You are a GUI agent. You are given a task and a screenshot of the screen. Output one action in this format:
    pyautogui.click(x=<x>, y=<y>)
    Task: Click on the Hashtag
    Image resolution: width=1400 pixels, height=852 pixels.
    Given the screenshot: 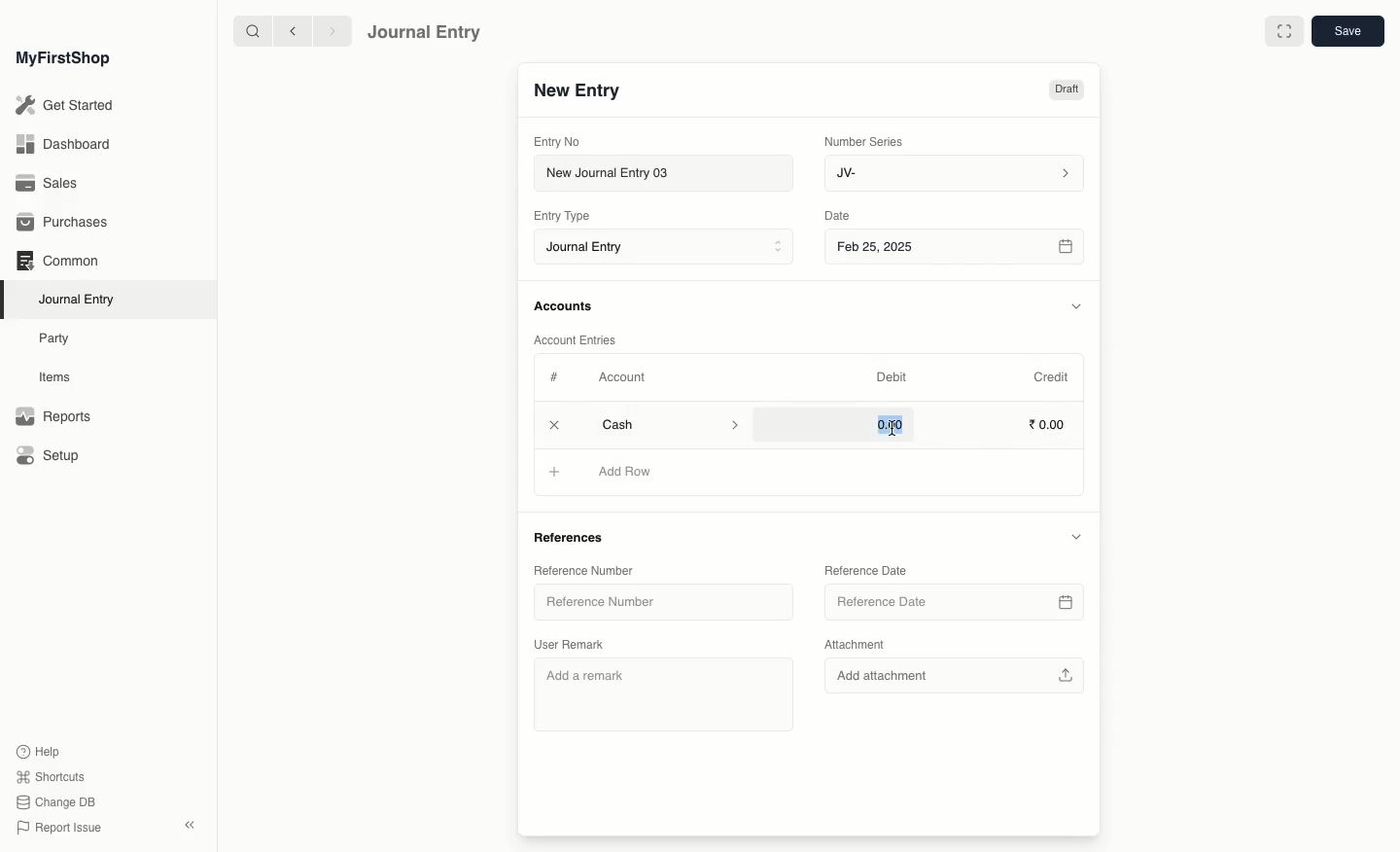 What is the action you would take?
    pyautogui.click(x=558, y=378)
    